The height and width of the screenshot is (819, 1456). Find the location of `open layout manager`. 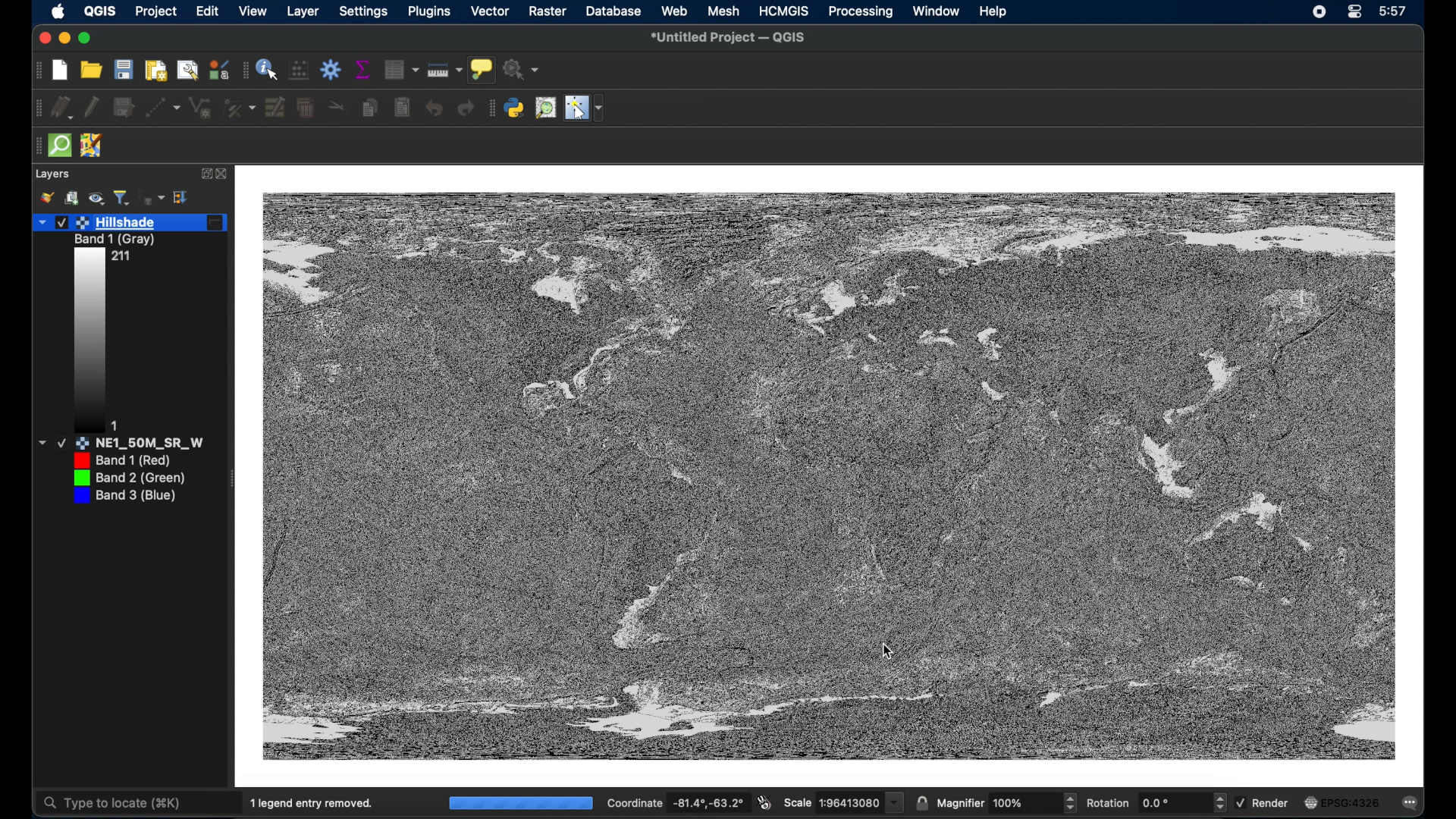

open layout manager is located at coordinates (188, 69).